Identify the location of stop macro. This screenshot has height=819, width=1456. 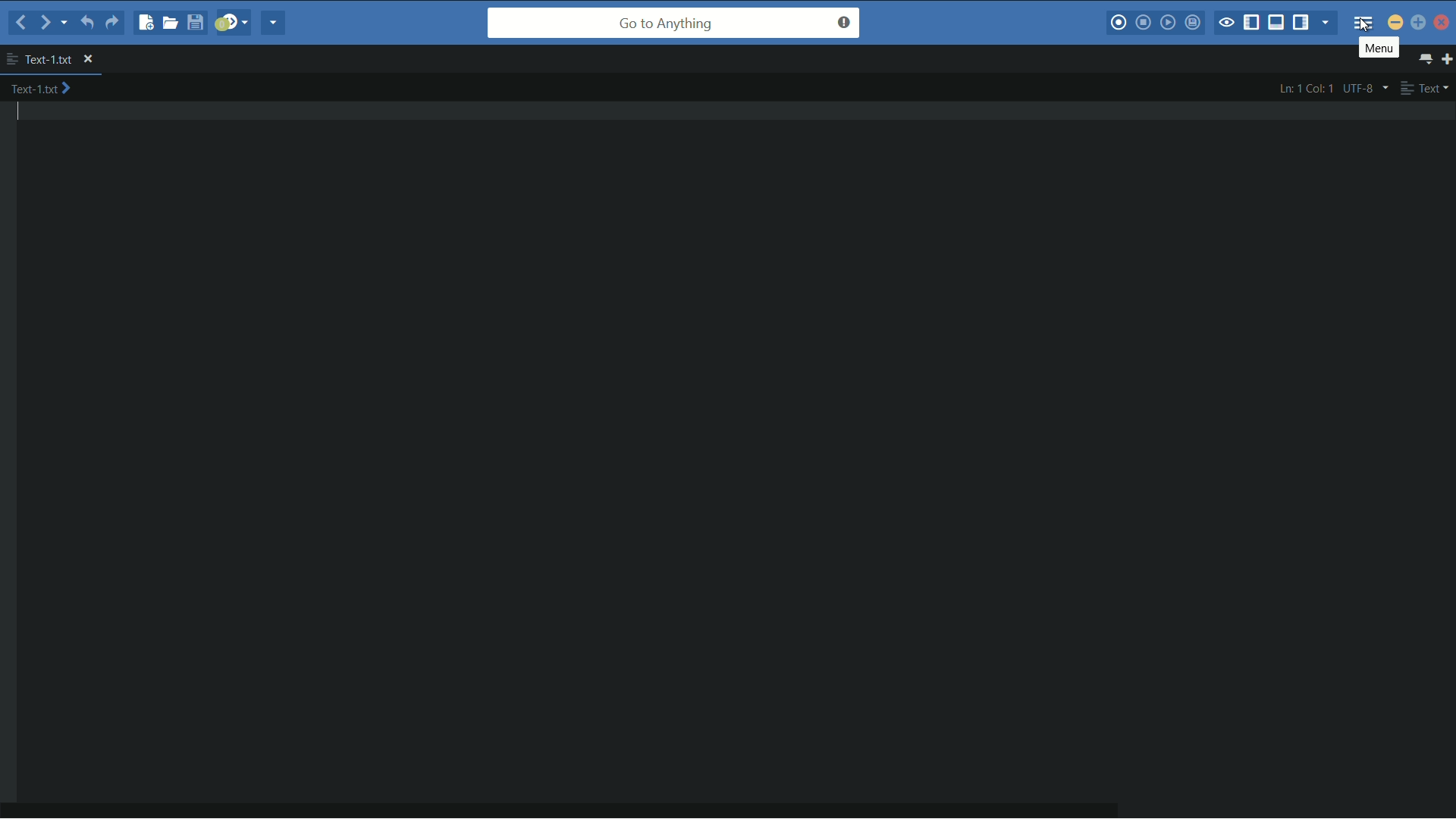
(1143, 24).